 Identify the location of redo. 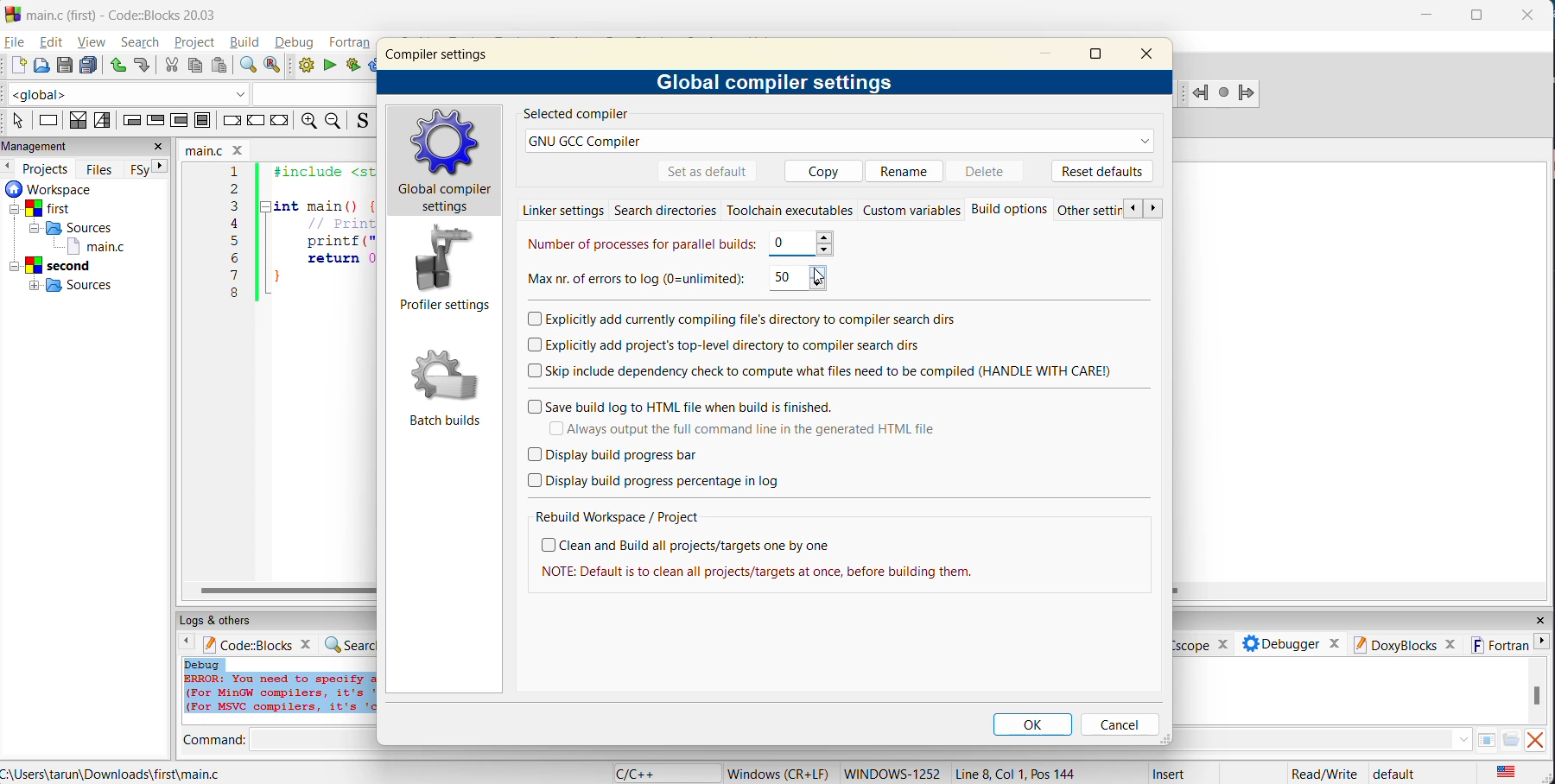
(143, 66).